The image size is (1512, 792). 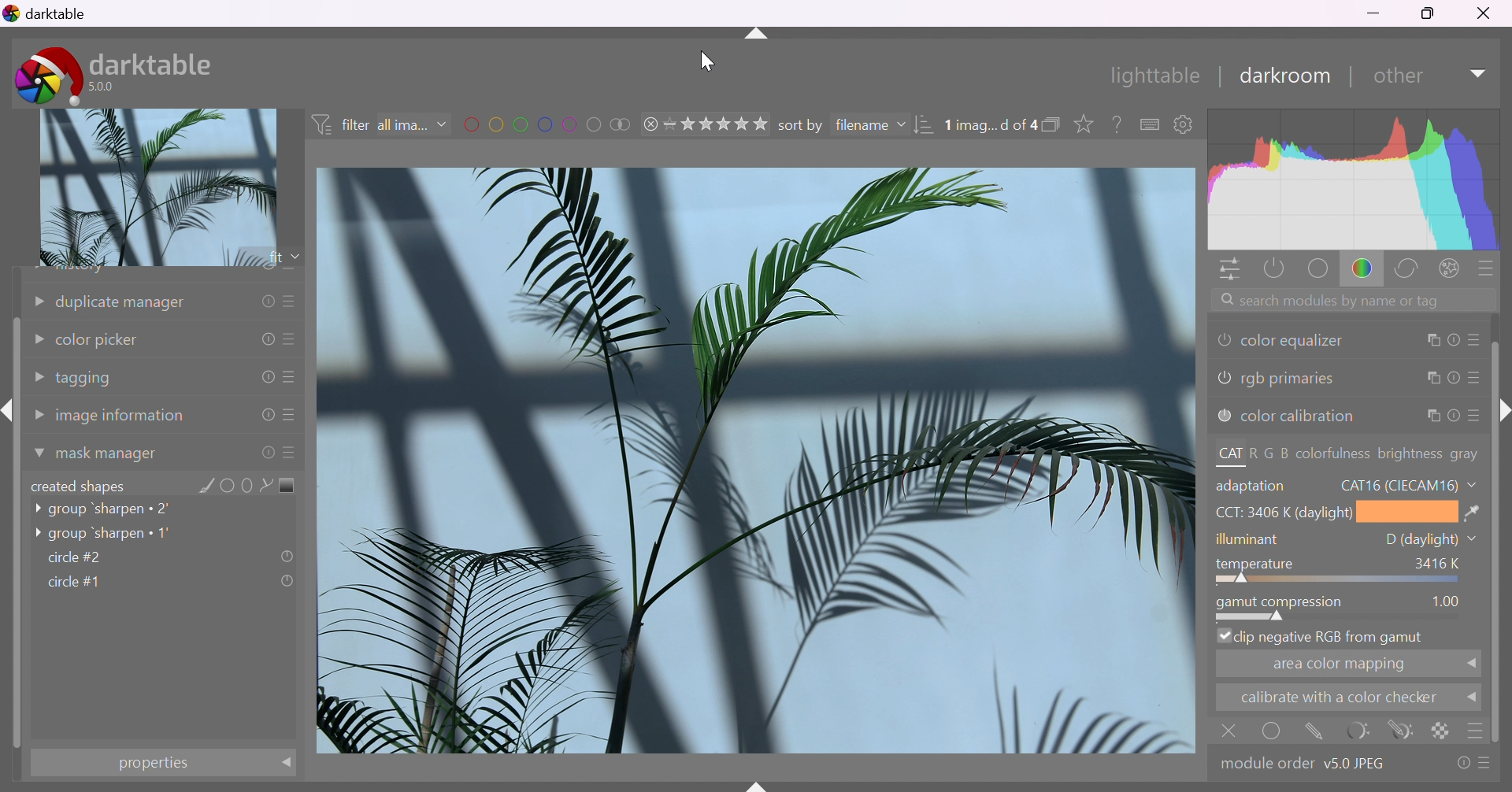 I want to click on filename, so click(x=870, y=125).